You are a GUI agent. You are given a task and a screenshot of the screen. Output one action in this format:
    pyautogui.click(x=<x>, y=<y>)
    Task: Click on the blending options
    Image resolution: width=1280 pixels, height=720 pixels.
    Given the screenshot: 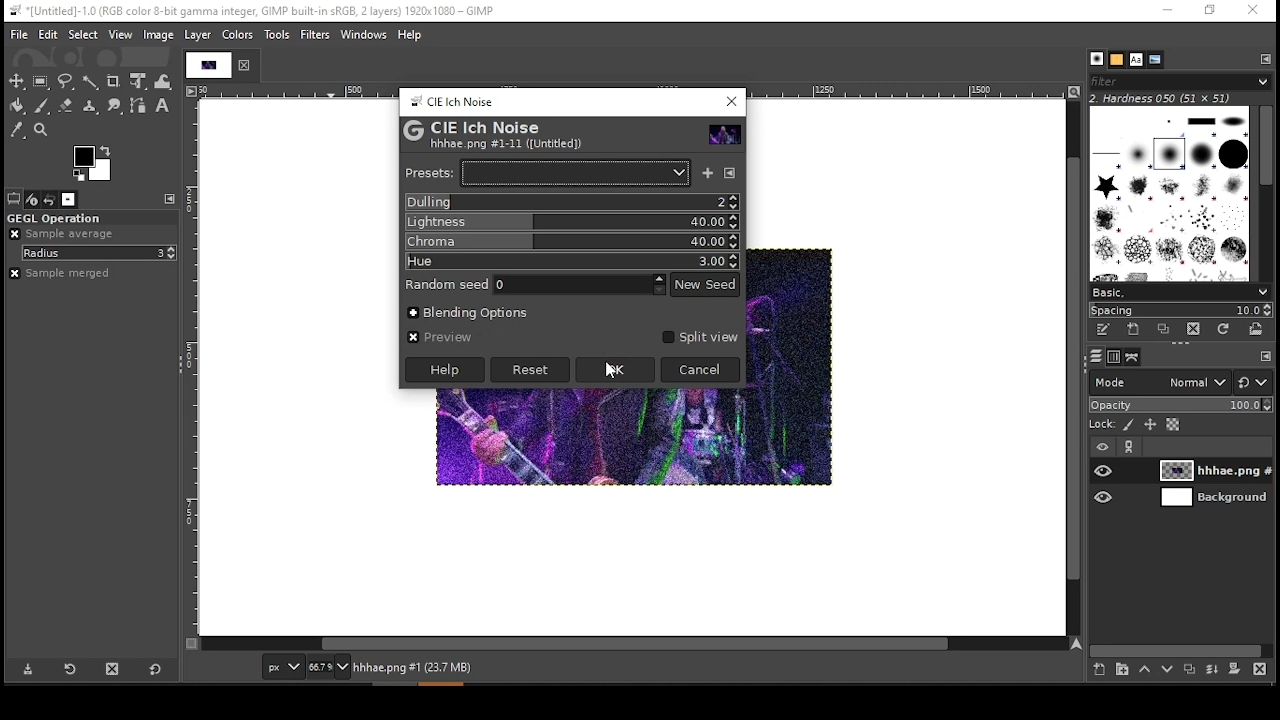 What is the action you would take?
    pyautogui.click(x=466, y=313)
    